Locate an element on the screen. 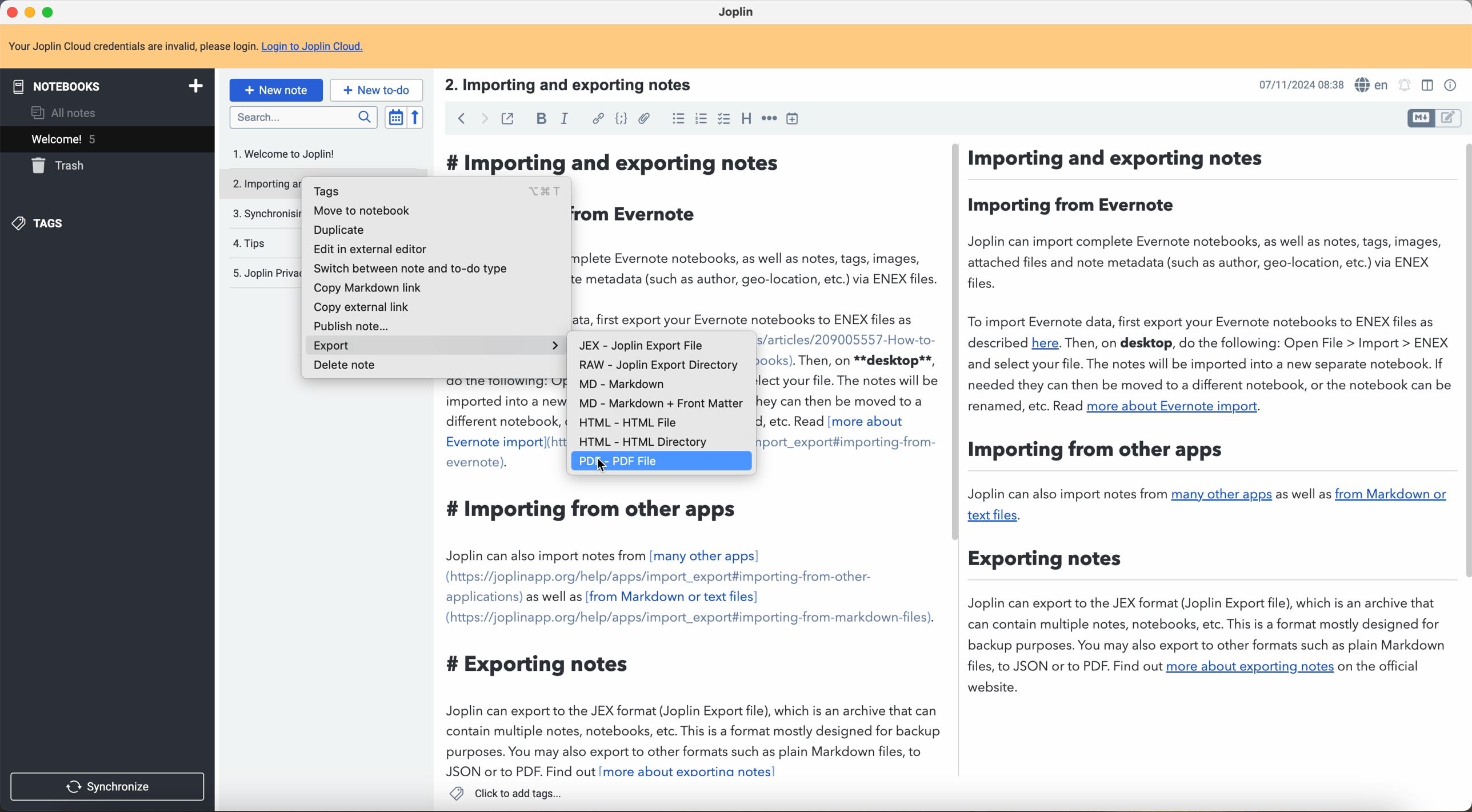  heading is located at coordinates (746, 120).